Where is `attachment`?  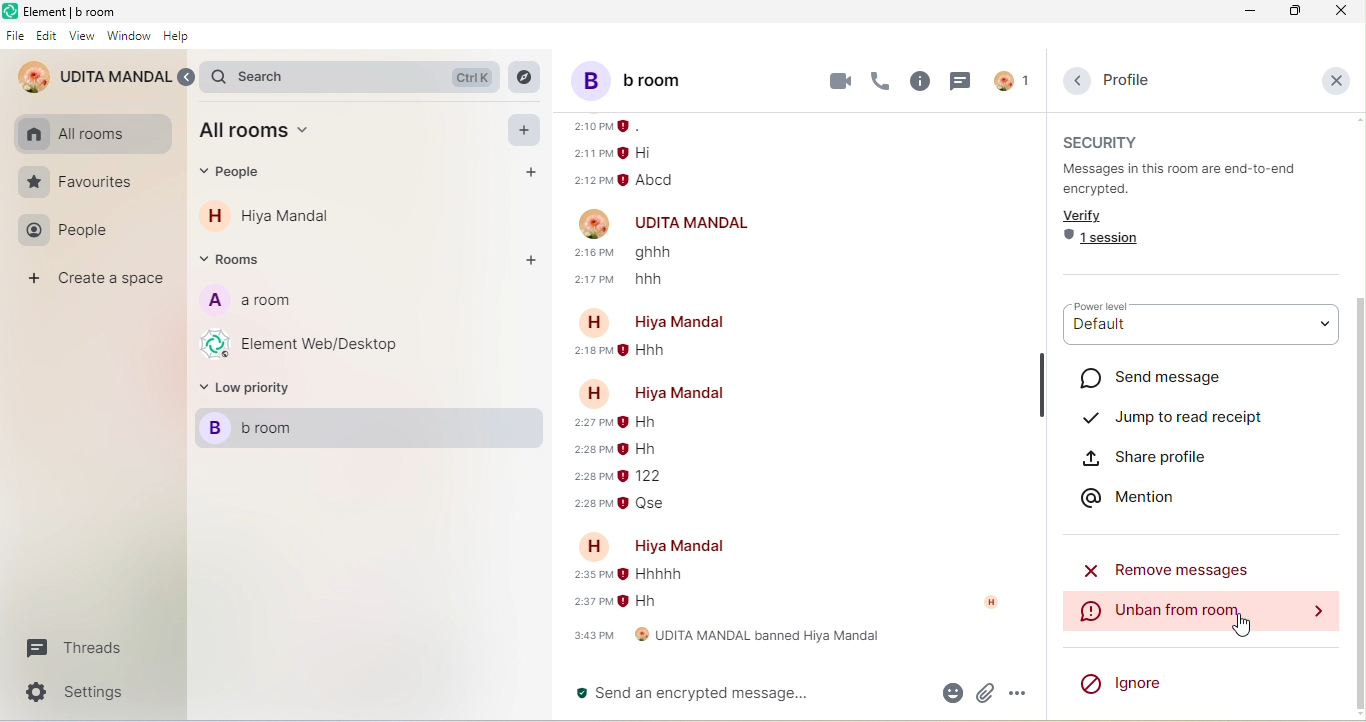
attachment is located at coordinates (984, 693).